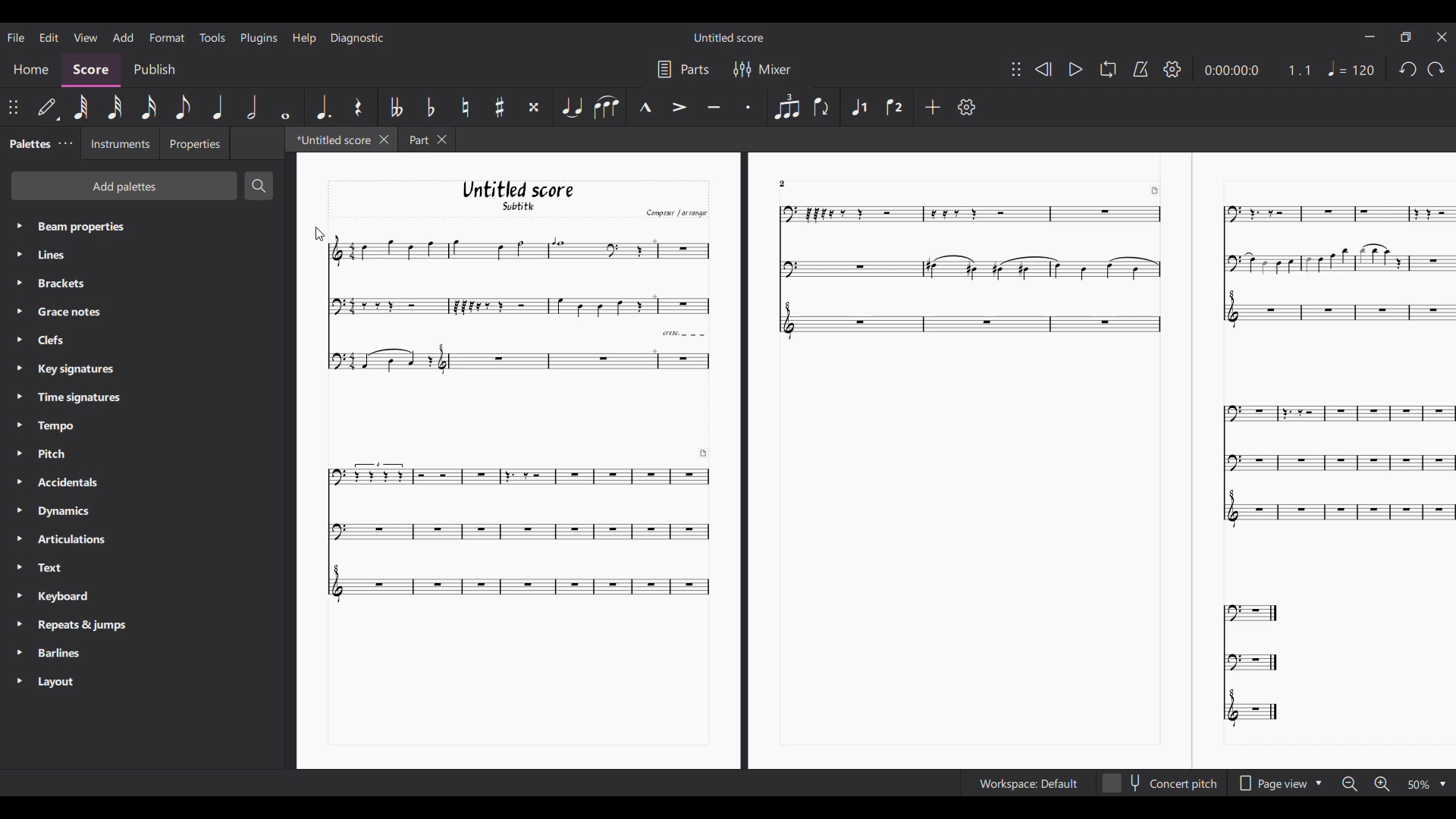 Image resolution: width=1456 pixels, height=819 pixels. What do you see at coordinates (384, 140) in the screenshot?
I see `Close` at bounding box center [384, 140].